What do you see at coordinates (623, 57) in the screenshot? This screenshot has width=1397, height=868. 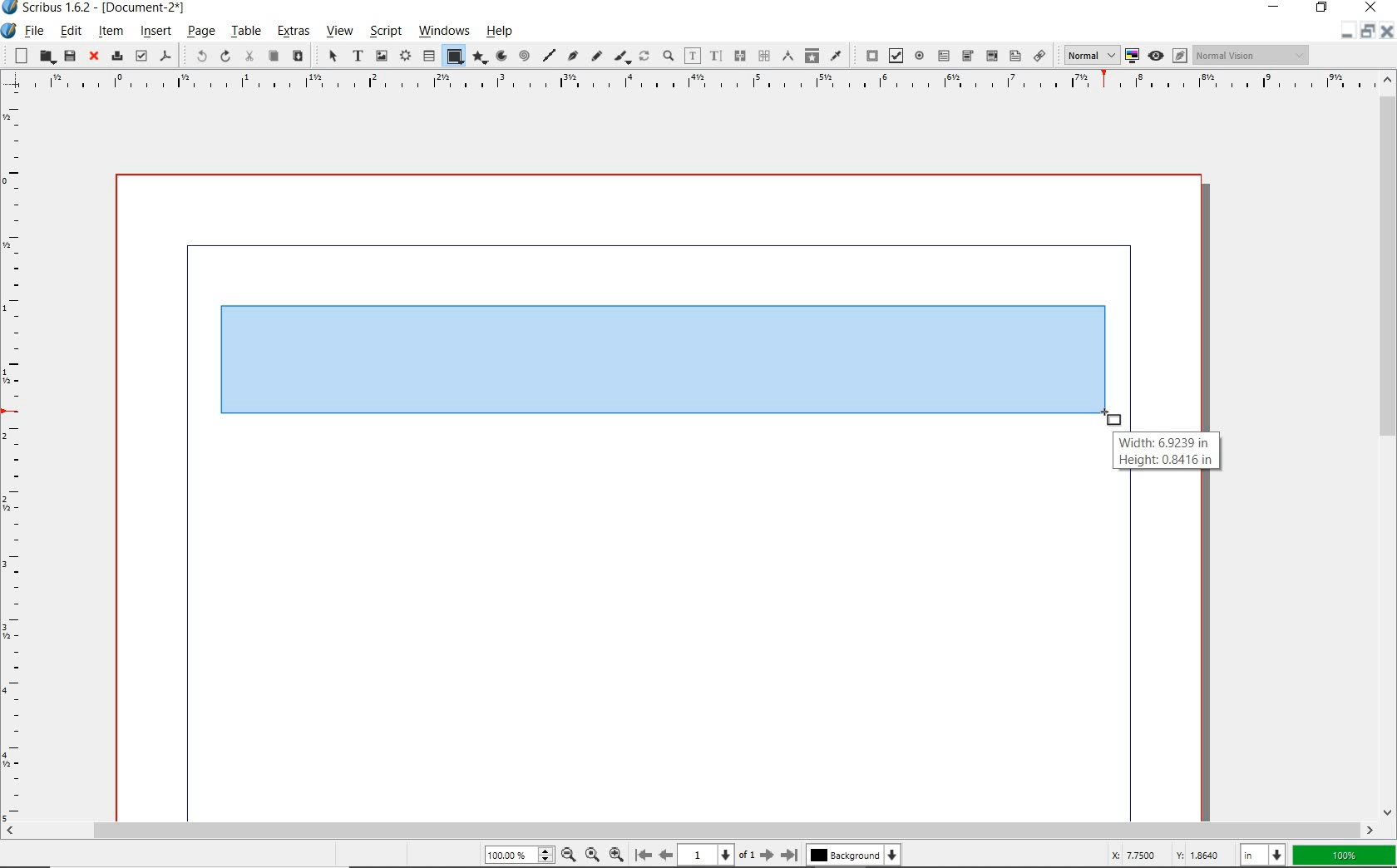 I see `calligraphic line` at bounding box center [623, 57].